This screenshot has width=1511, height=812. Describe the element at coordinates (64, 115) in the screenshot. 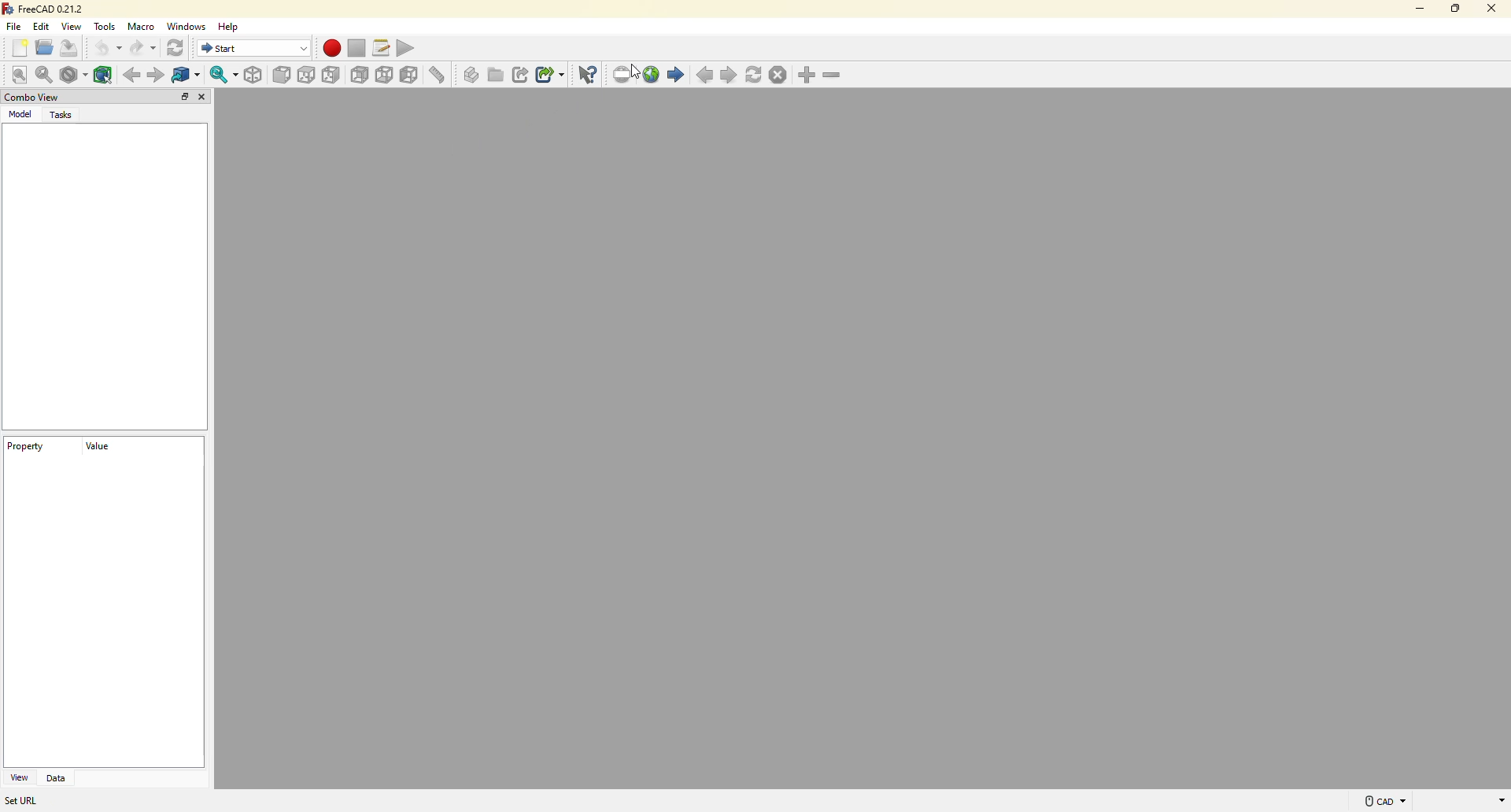

I see `tasks` at that location.